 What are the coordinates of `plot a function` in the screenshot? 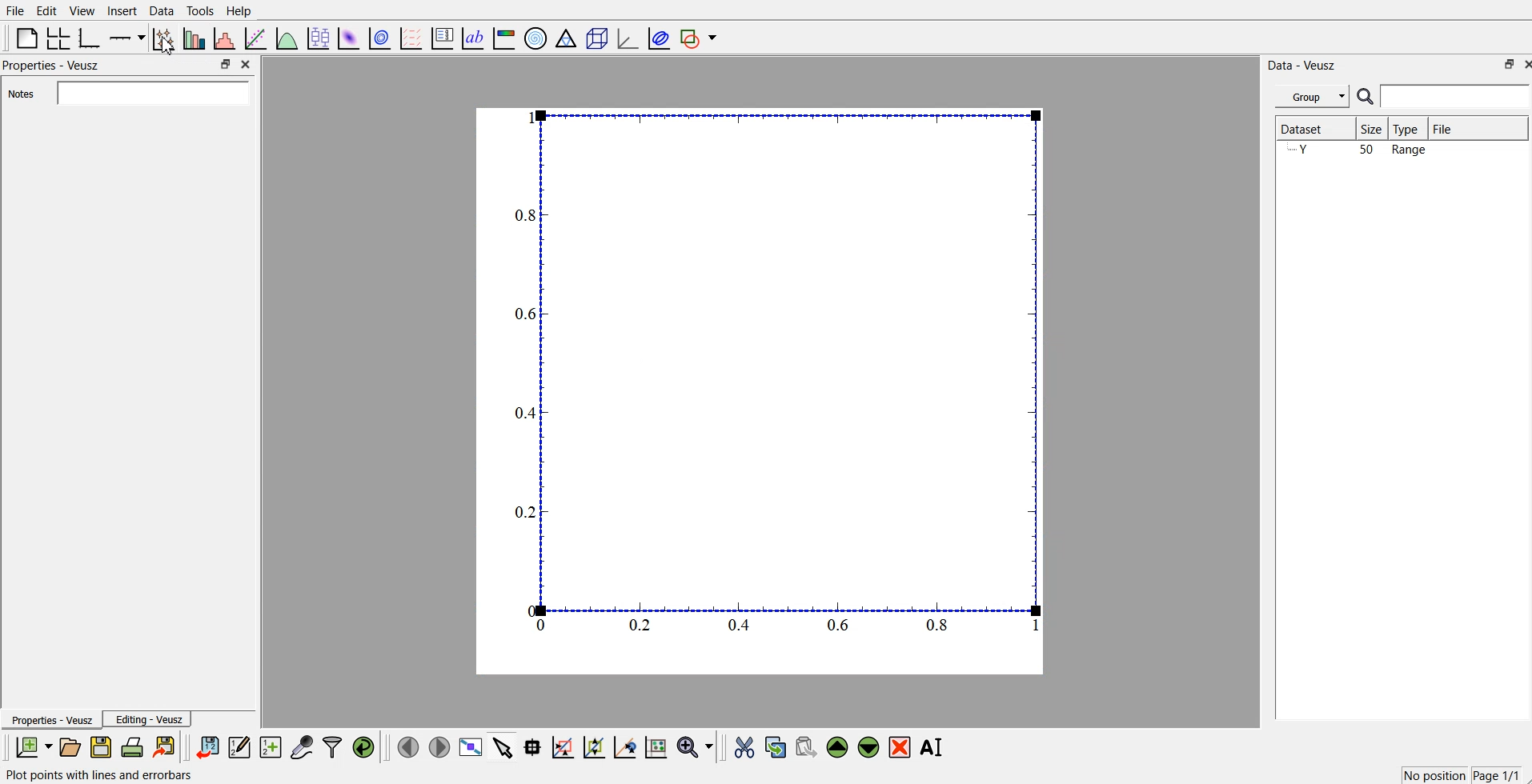 It's located at (288, 36).